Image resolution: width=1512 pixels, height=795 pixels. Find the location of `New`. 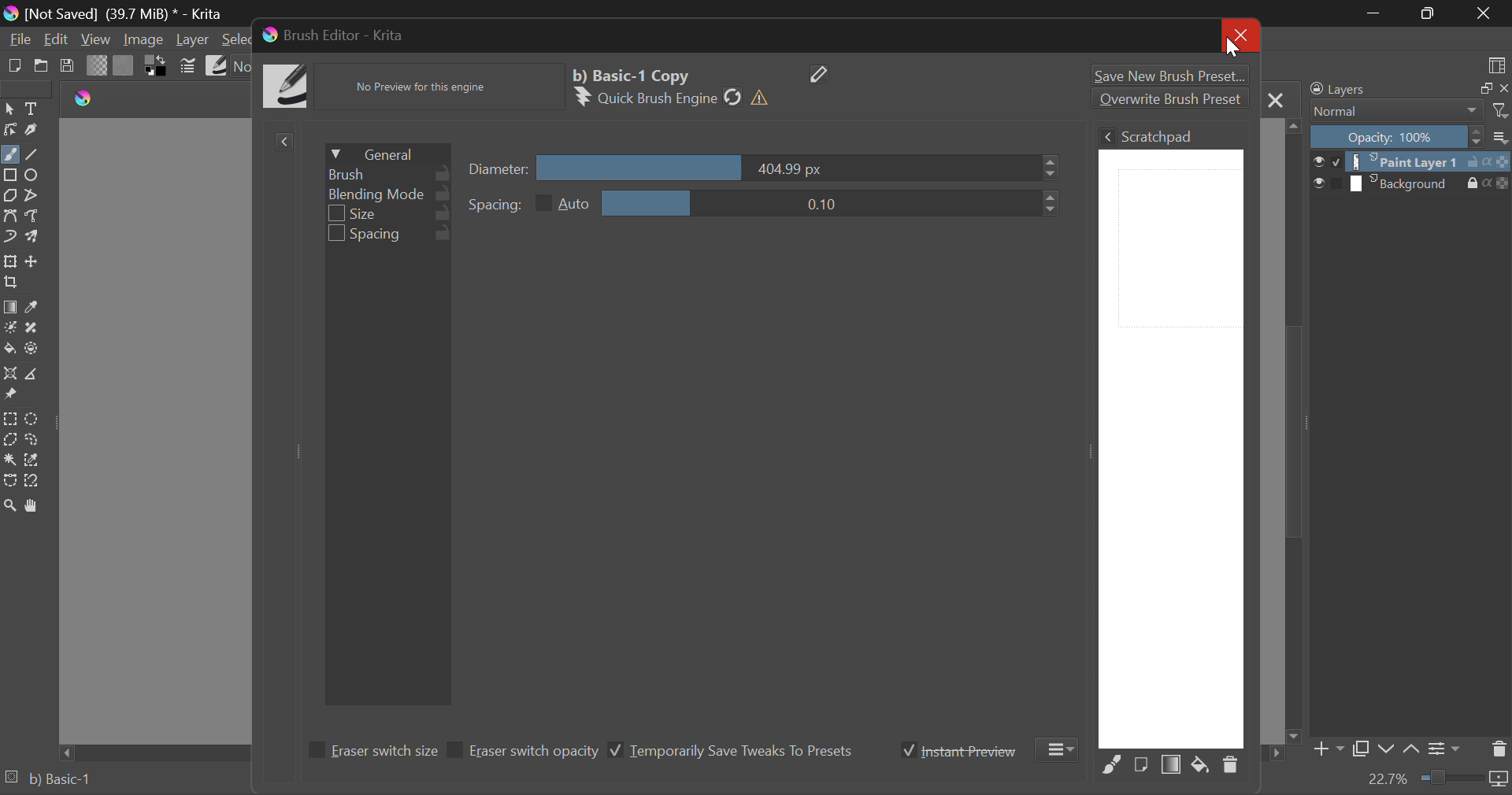

New is located at coordinates (14, 65).